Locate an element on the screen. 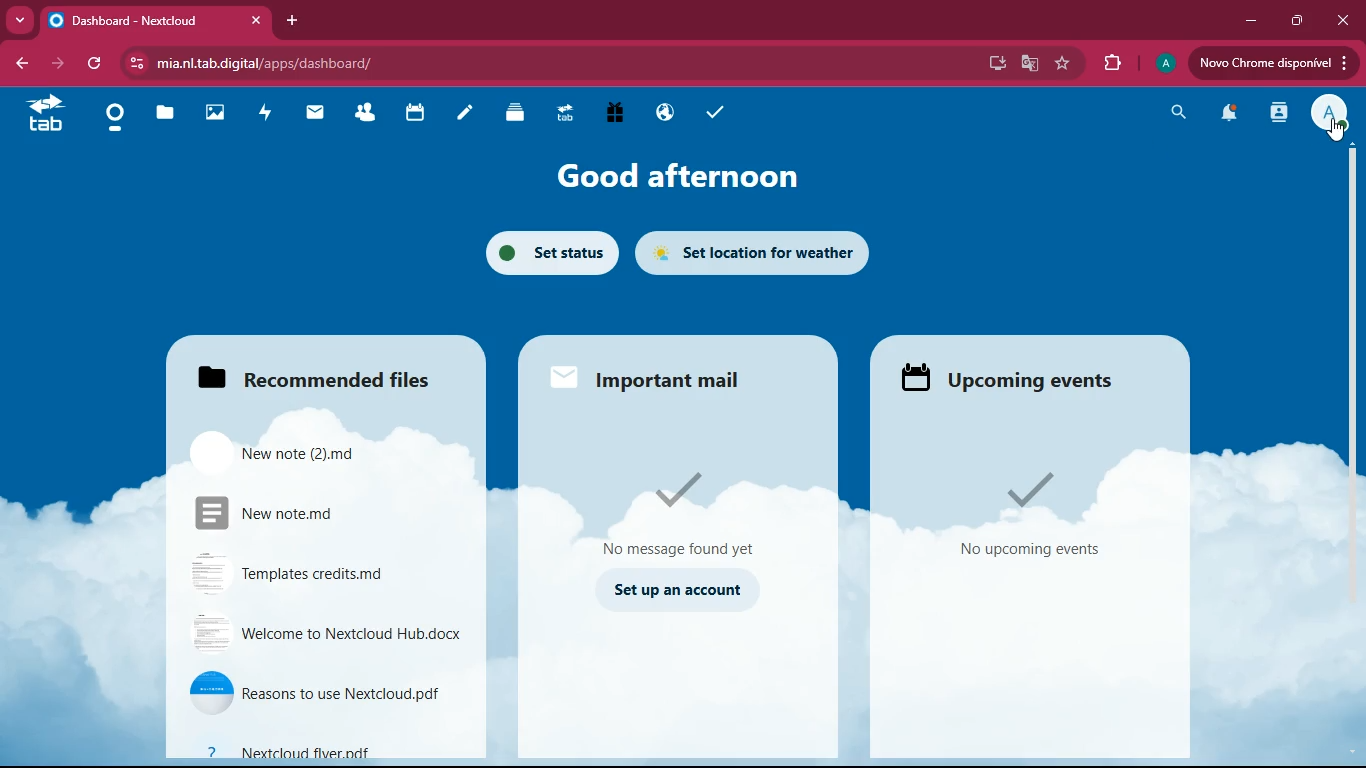 Image resolution: width=1366 pixels, height=768 pixels. tab is located at coordinates (568, 117).